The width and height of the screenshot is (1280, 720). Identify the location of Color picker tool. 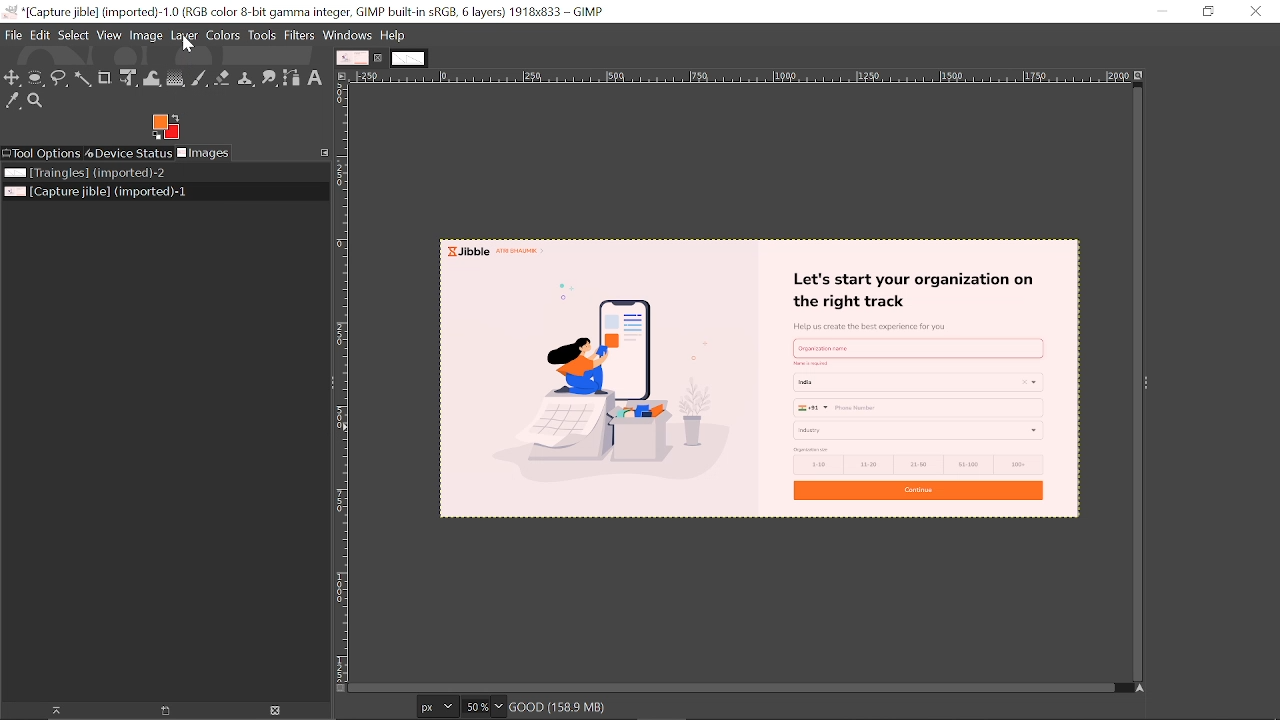
(11, 101).